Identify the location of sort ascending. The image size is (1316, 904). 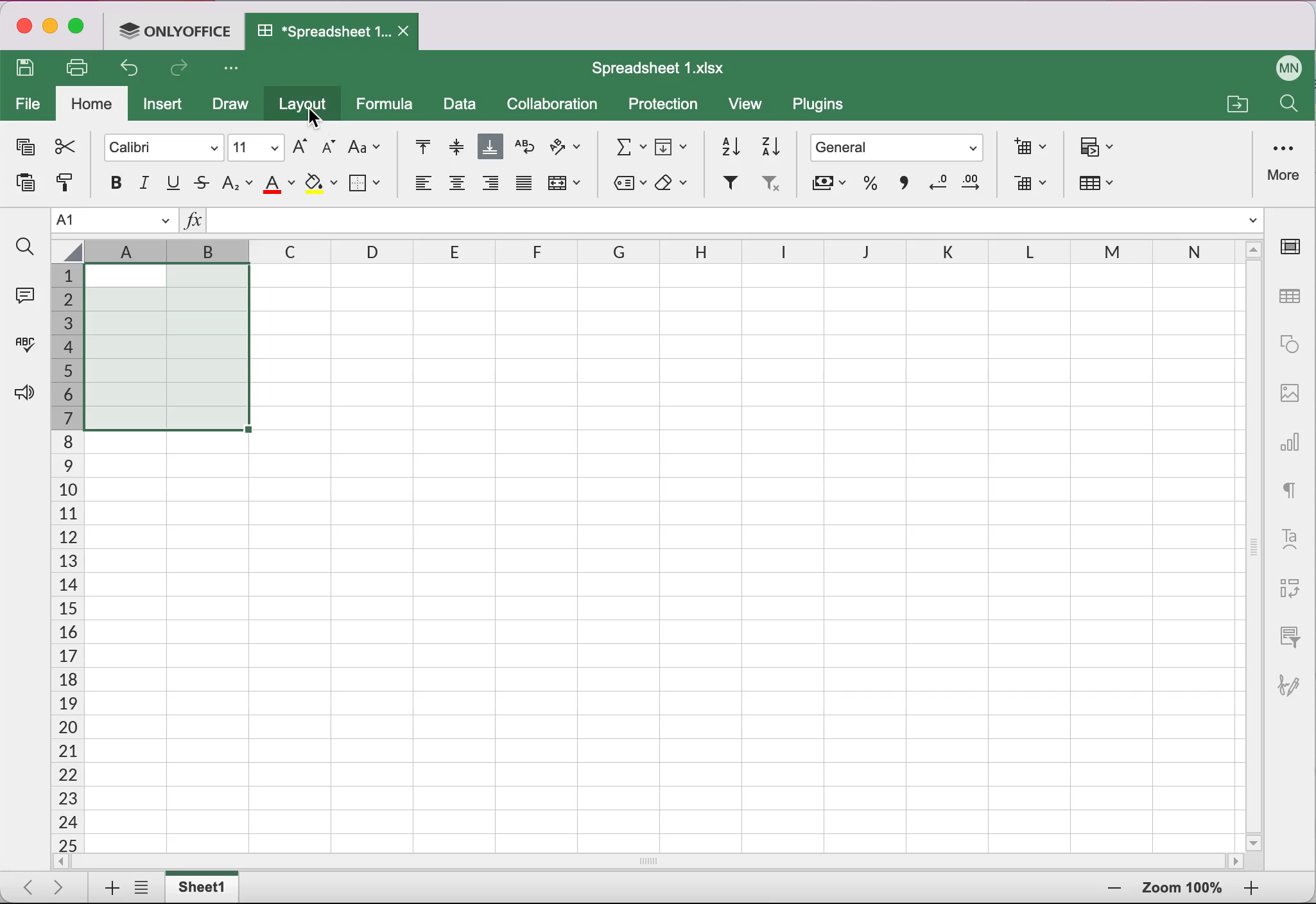
(725, 144).